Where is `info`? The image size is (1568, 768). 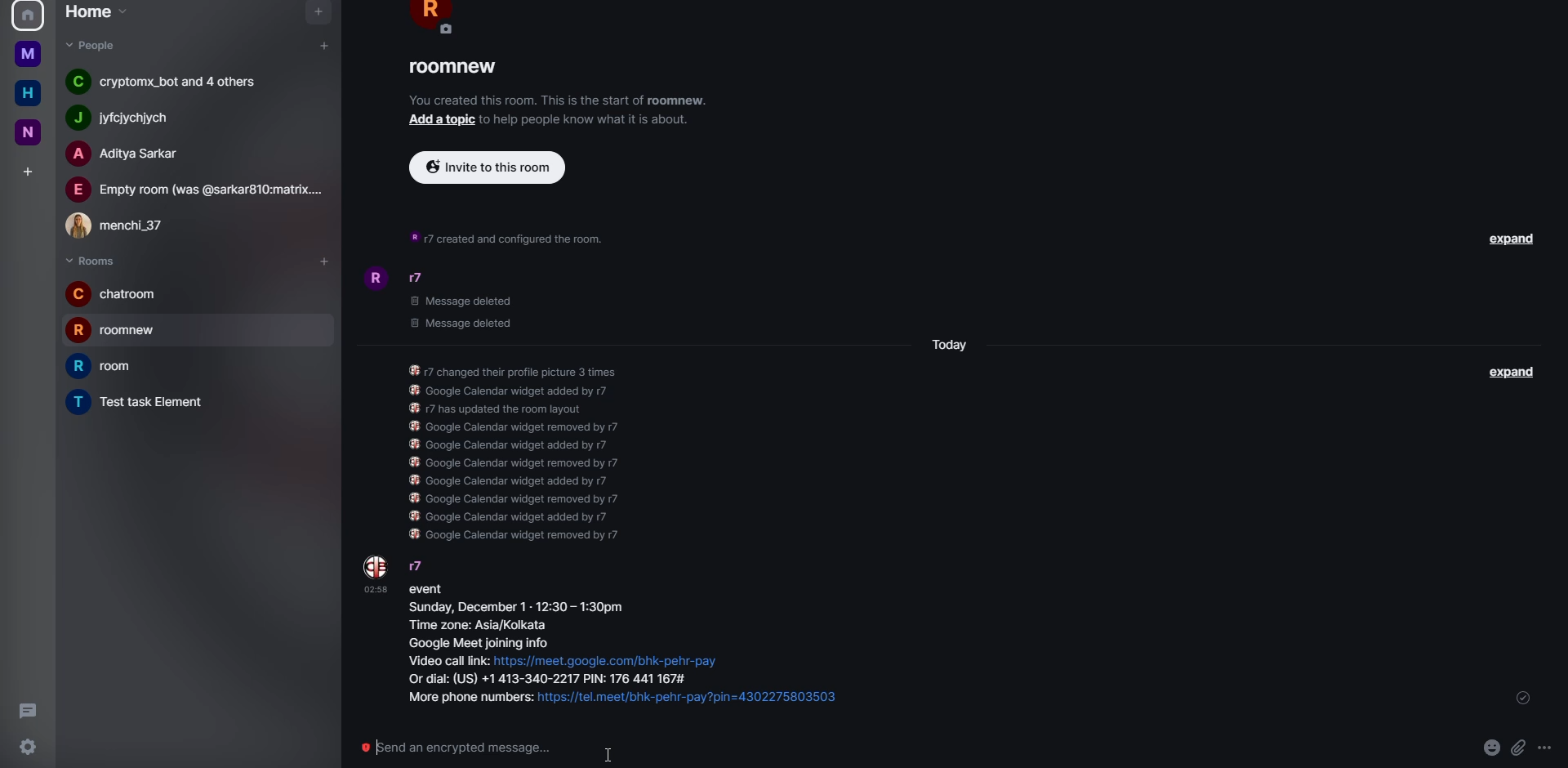 info is located at coordinates (510, 235).